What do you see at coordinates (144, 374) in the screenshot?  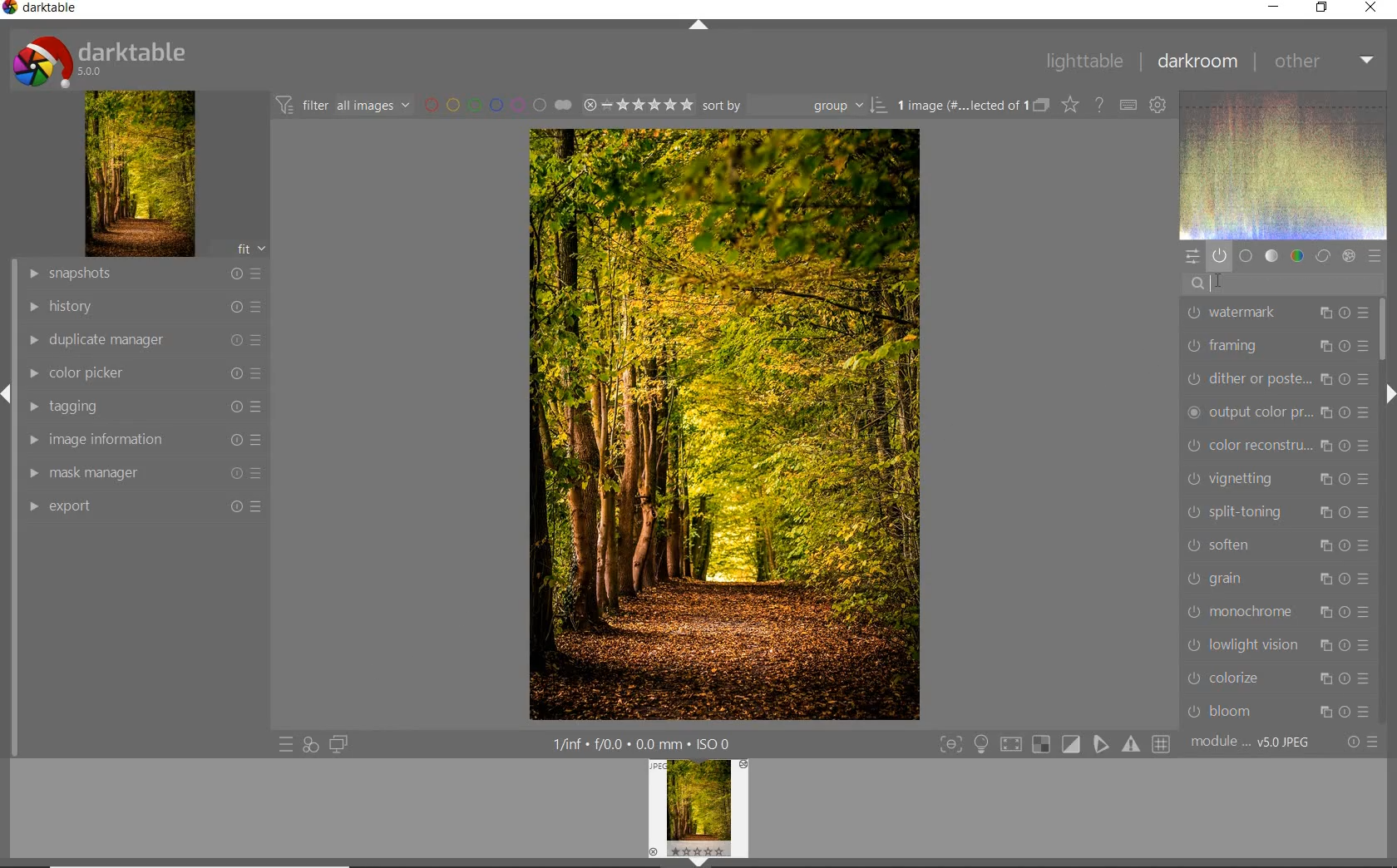 I see `color picker` at bounding box center [144, 374].